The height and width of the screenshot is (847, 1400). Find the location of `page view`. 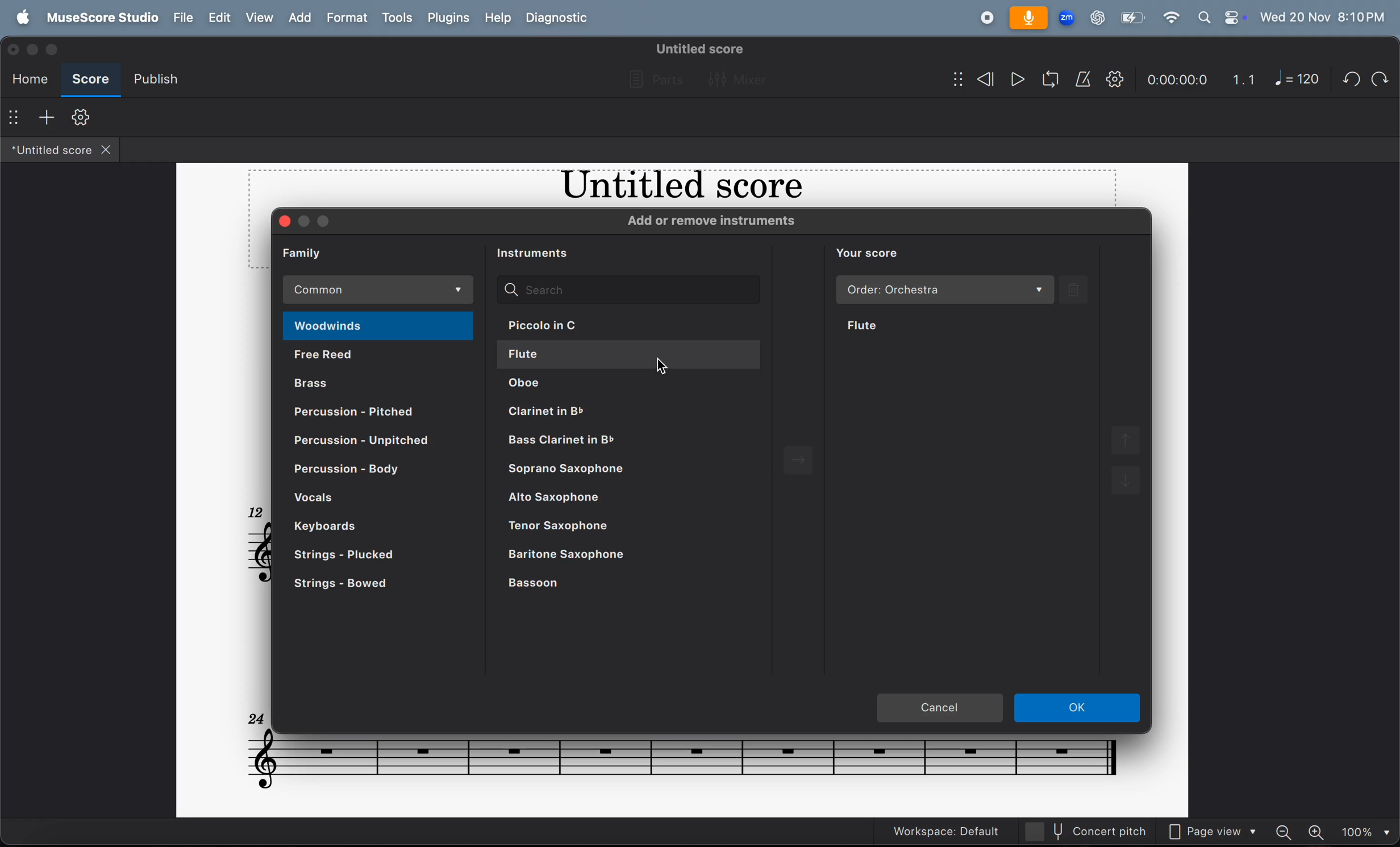

page view is located at coordinates (1212, 832).